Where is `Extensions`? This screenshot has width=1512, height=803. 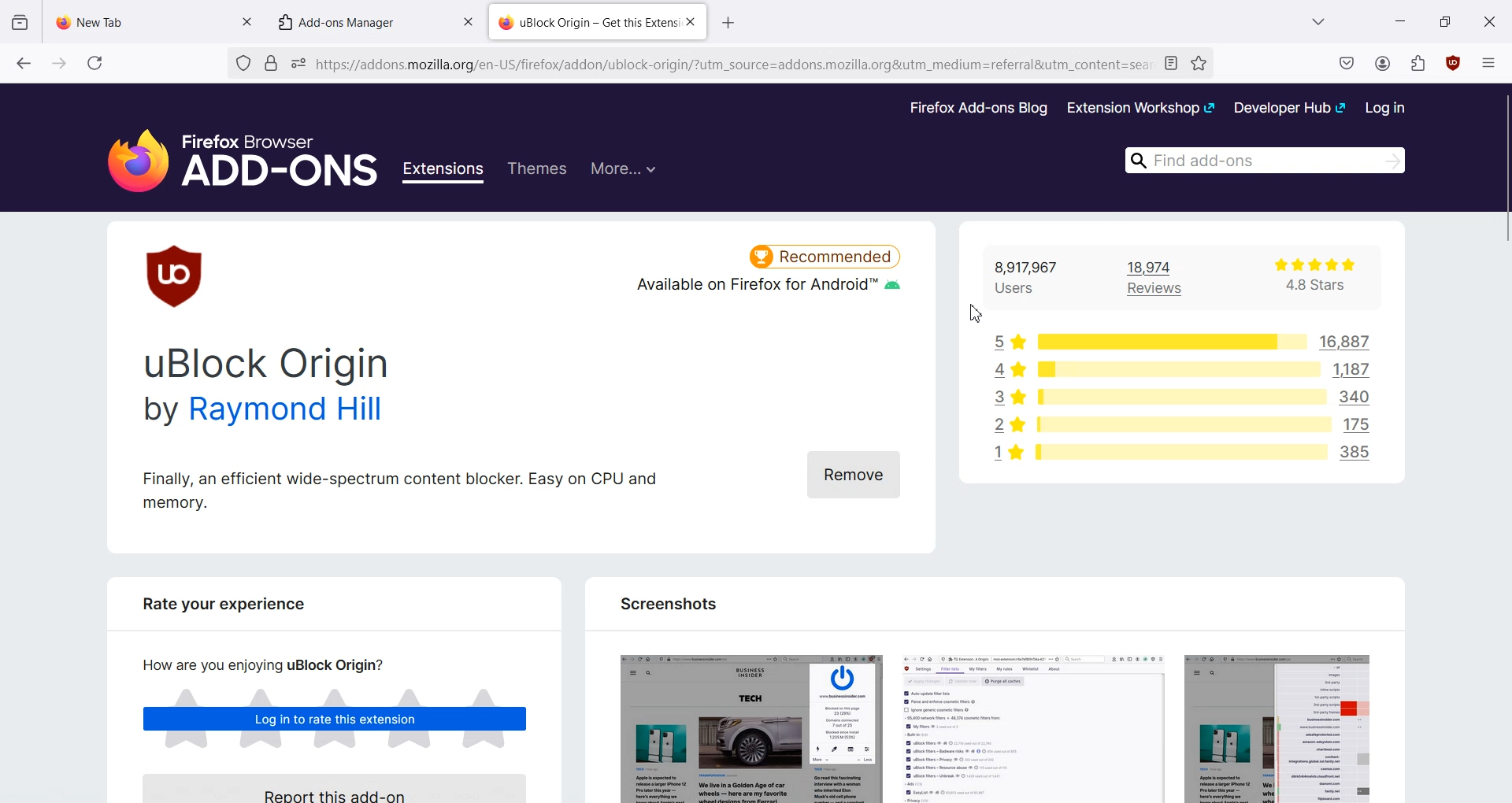
Extensions is located at coordinates (1421, 63).